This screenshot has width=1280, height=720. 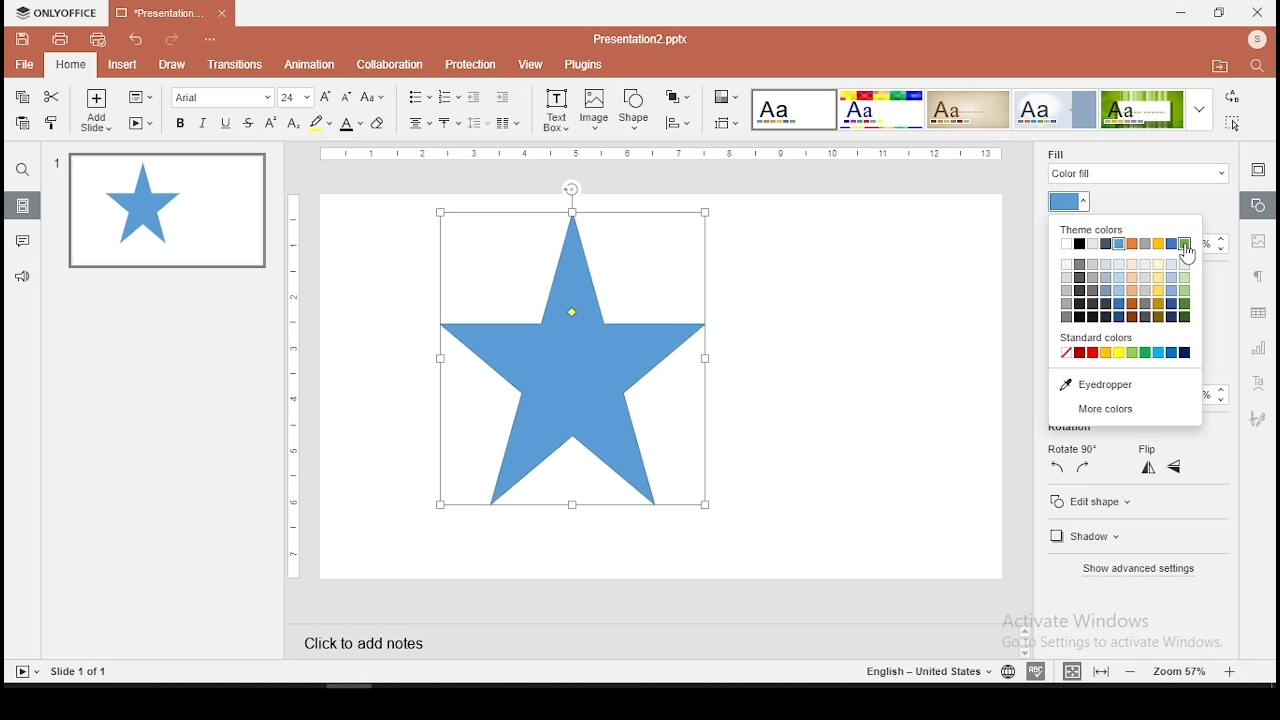 What do you see at coordinates (347, 97) in the screenshot?
I see `decrease size` at bounding box center [347, 97].